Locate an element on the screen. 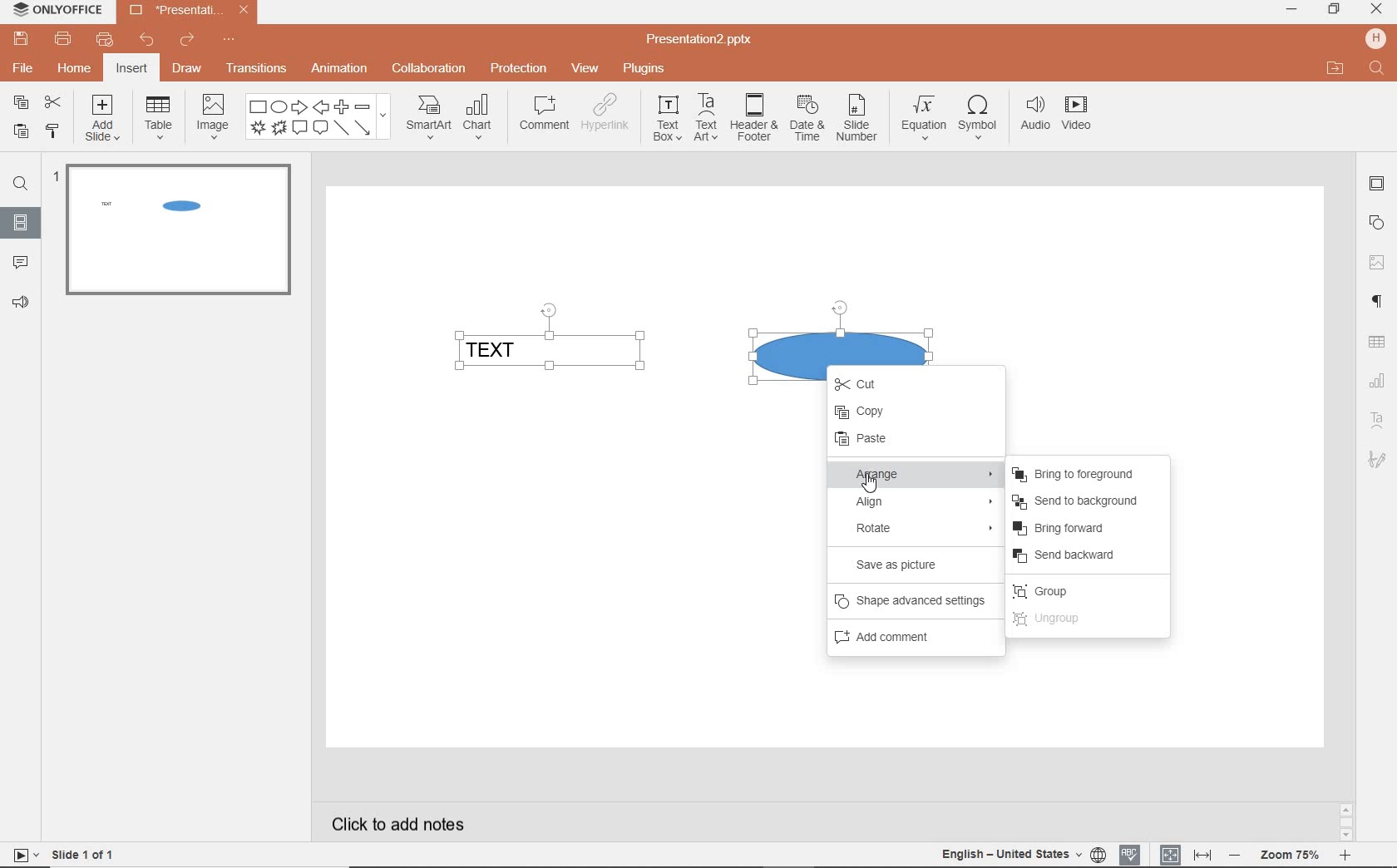  textart is located at coordinates (704, 116).